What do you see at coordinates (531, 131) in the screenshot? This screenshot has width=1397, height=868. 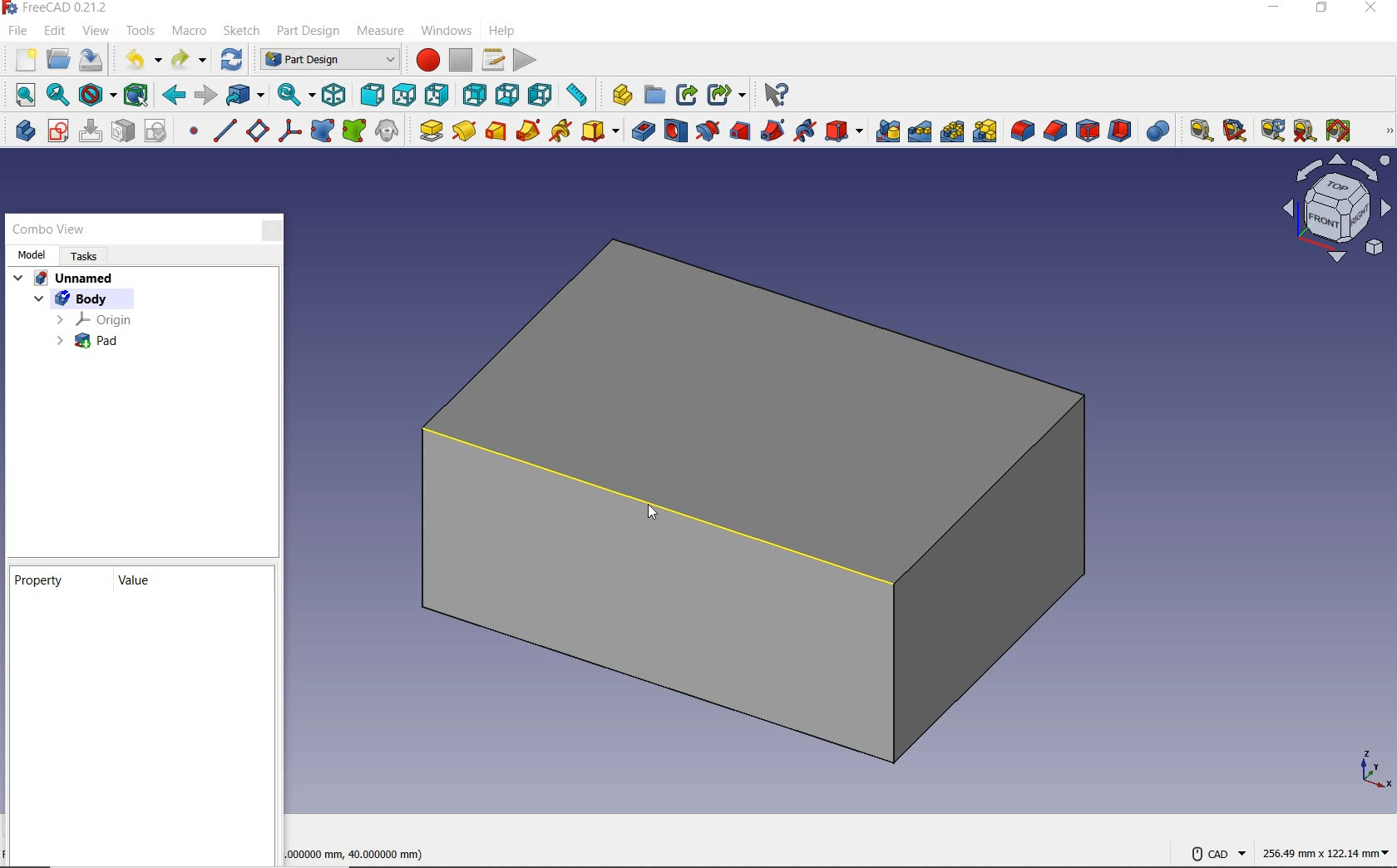 I see `additive pipe` at bounding box center [531, 131].